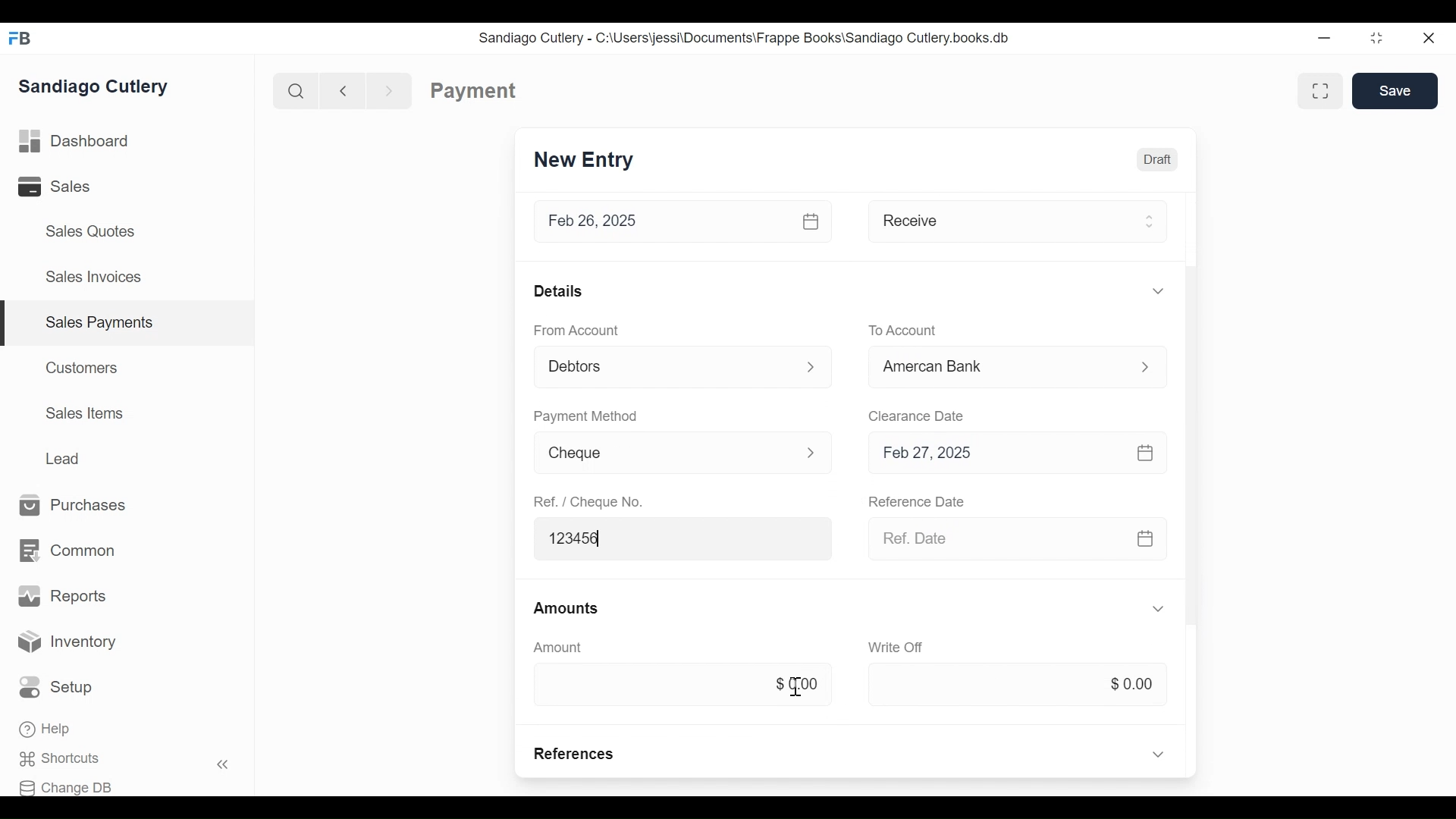 The height and width of the screenshot is (819, 1456). What do you see at coordinates (813, 221) in the screenshot?
I see `Calendar` at bounding box center [813, 221].